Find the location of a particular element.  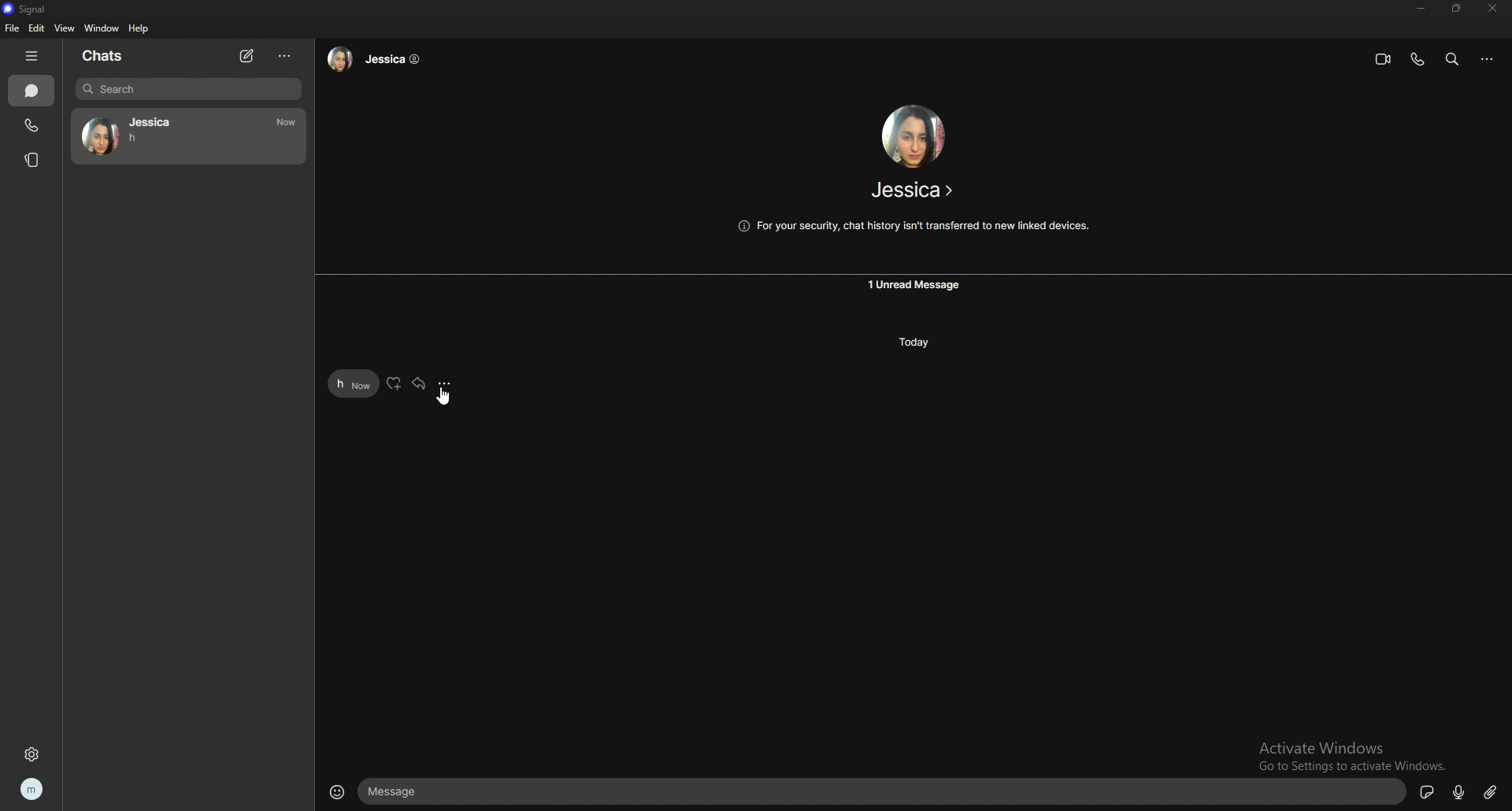

jessica is located at coordinates (185, 136).